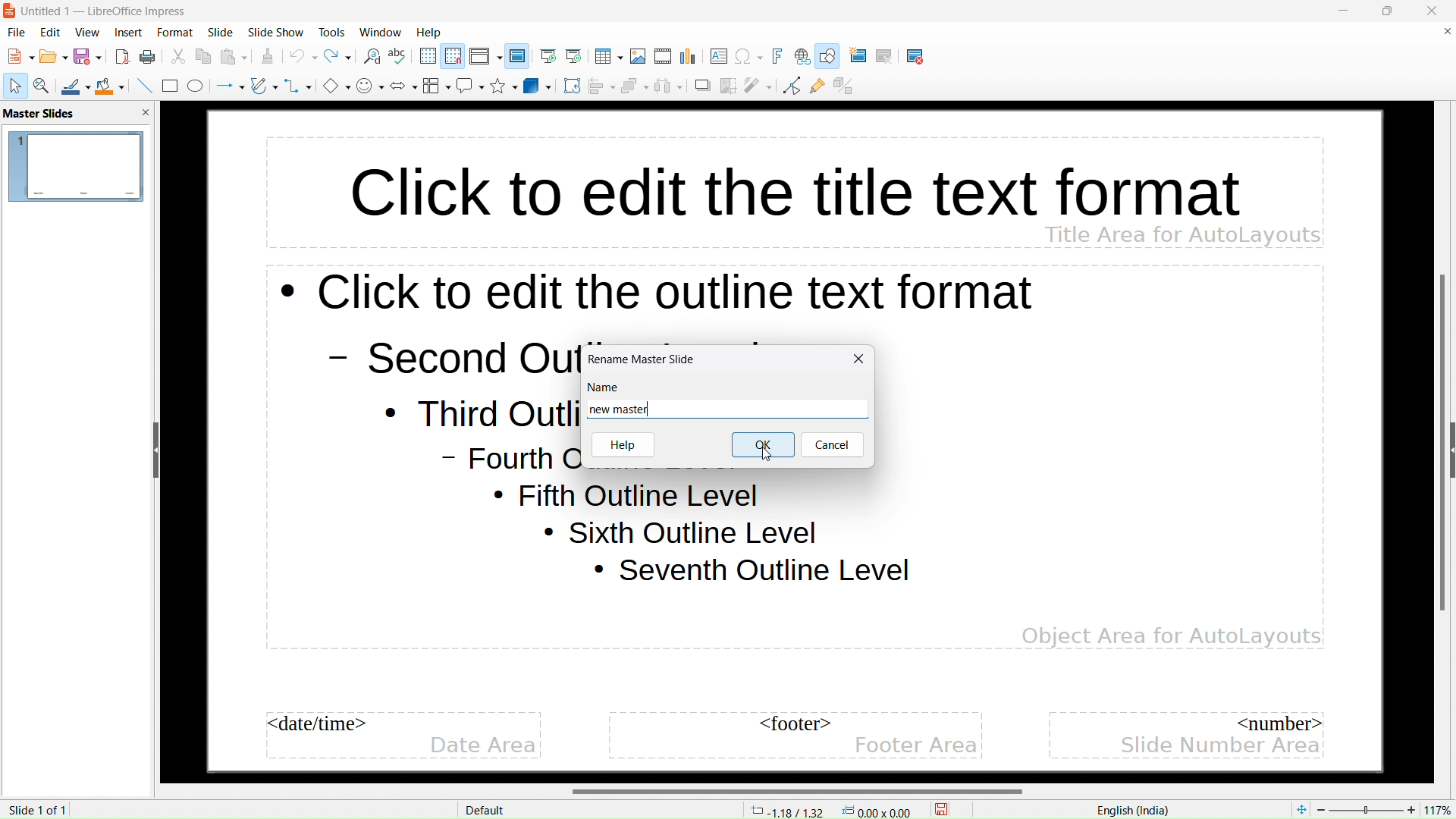 This screenshot has height=819, width=1456. I want to click on new master, so click(726, 409).